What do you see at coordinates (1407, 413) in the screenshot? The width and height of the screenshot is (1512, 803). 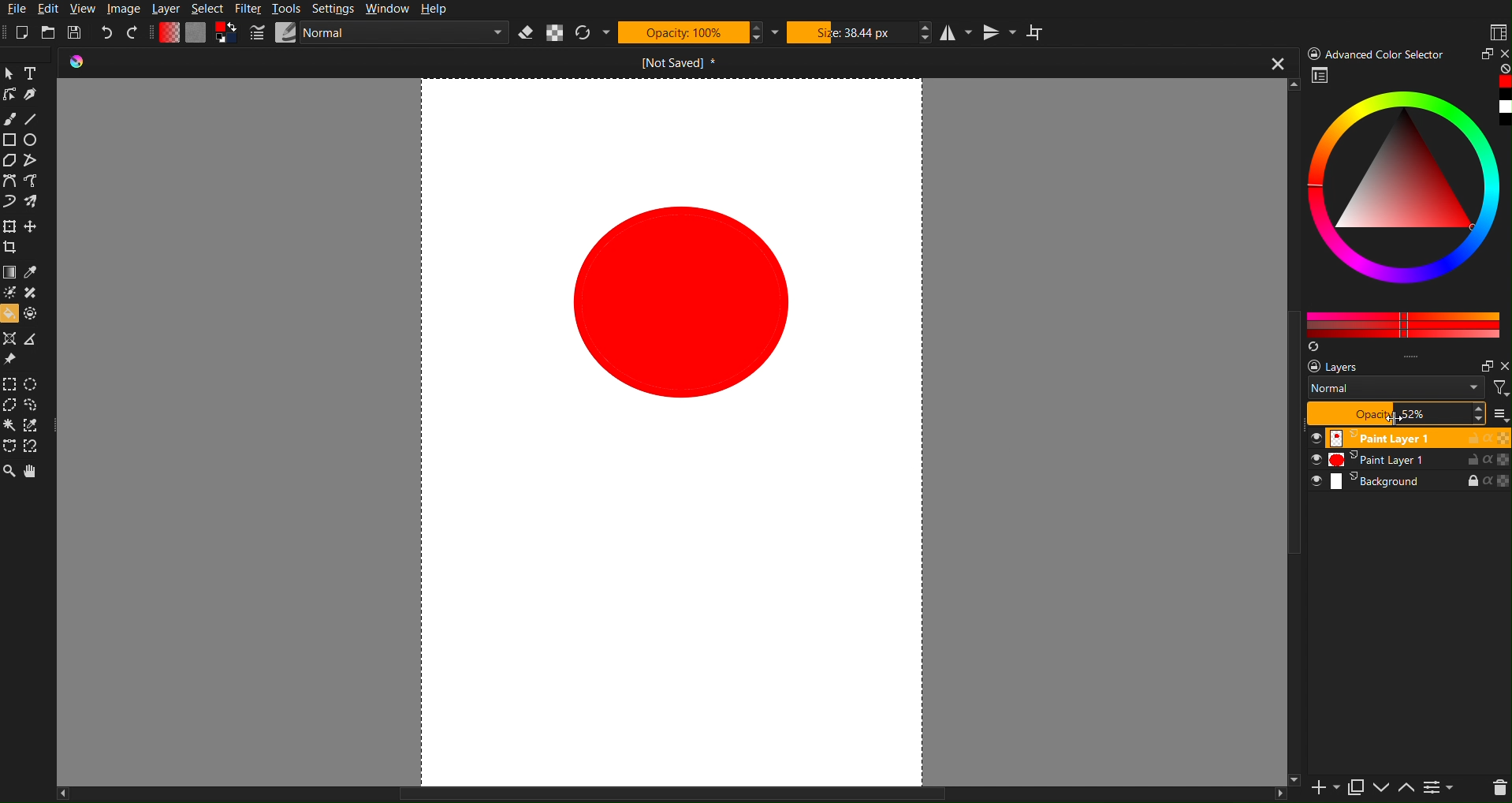 I see `Opacity` at bounding box center [1407, 413].